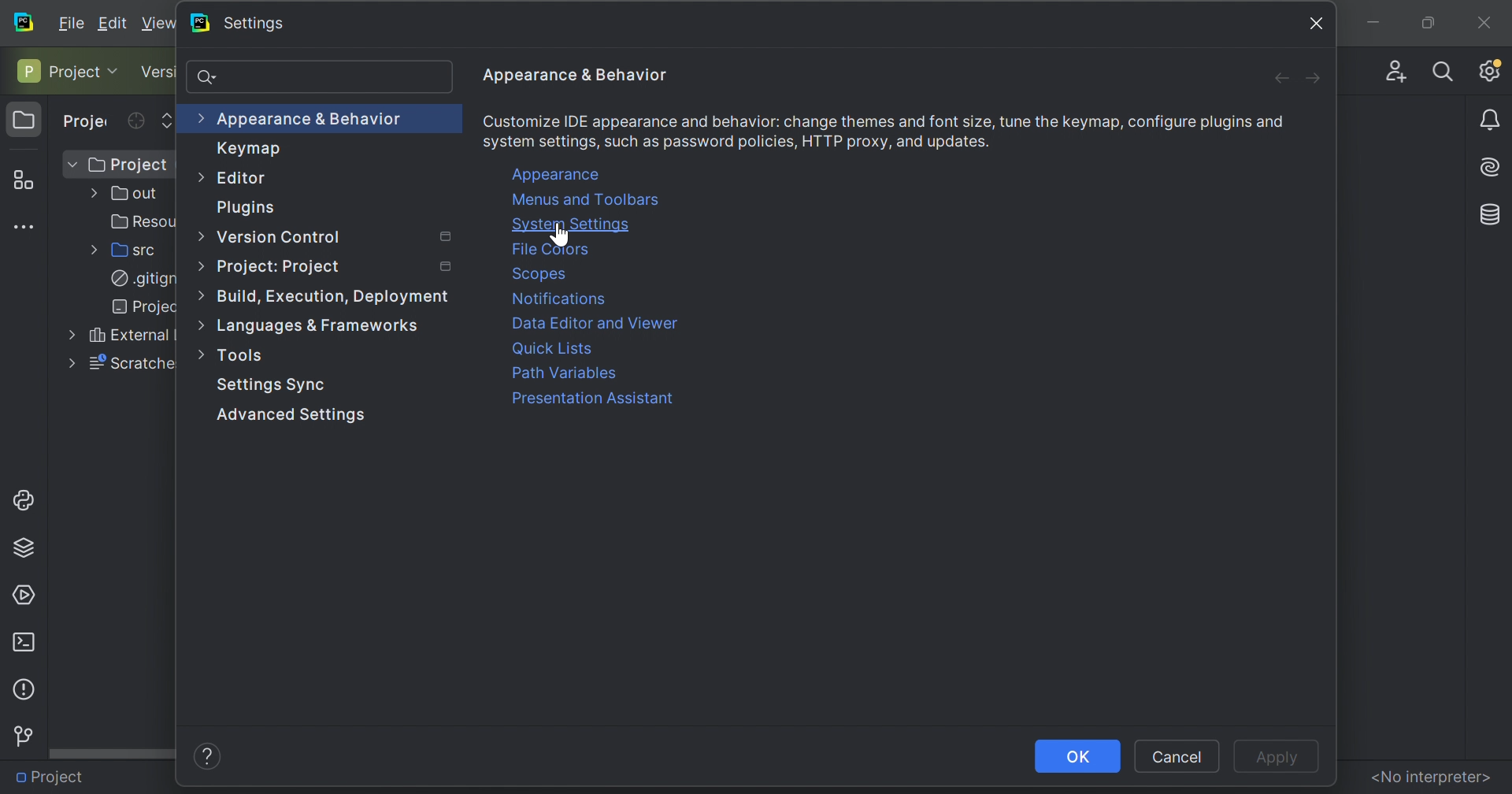 The image size is (1512, 794). What do you see at coordinates (21, 177) in the screenshot?
I see `Structure` at bounding box center [21, 177].